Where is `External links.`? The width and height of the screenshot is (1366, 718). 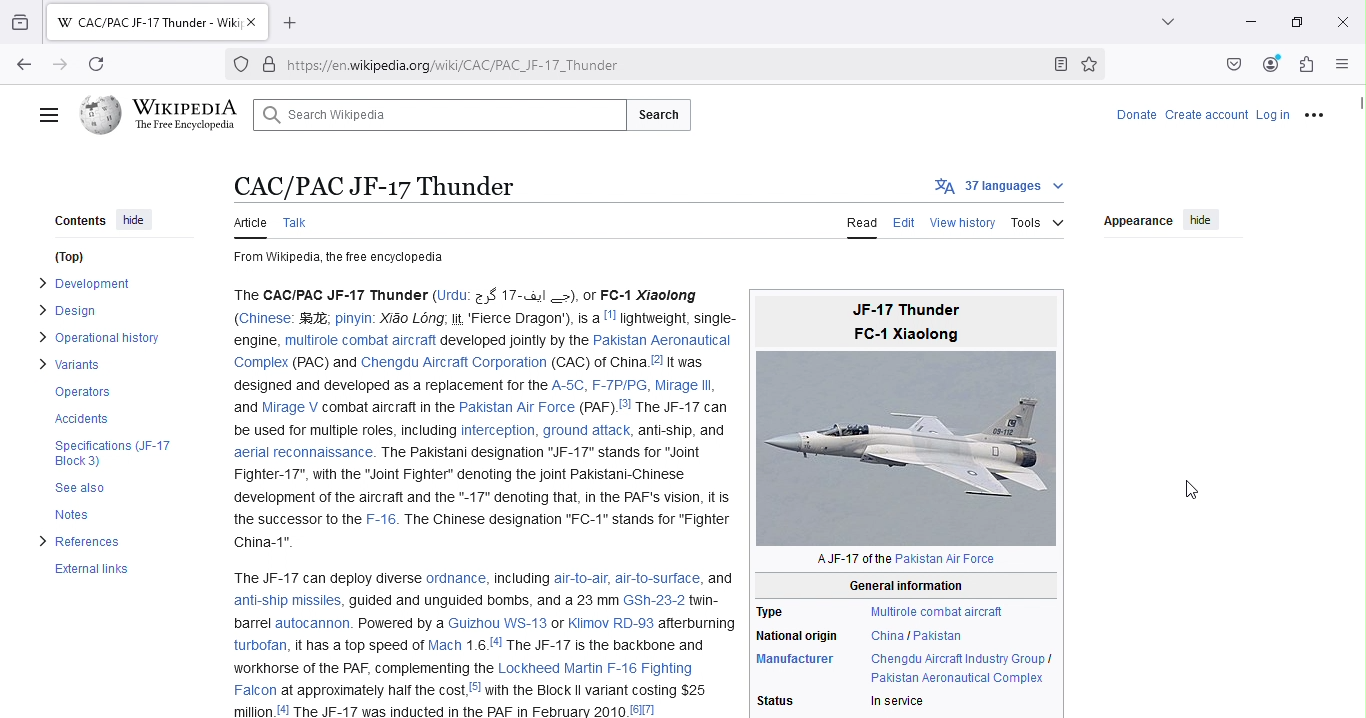
External links. is located at coordinates (96, 573).